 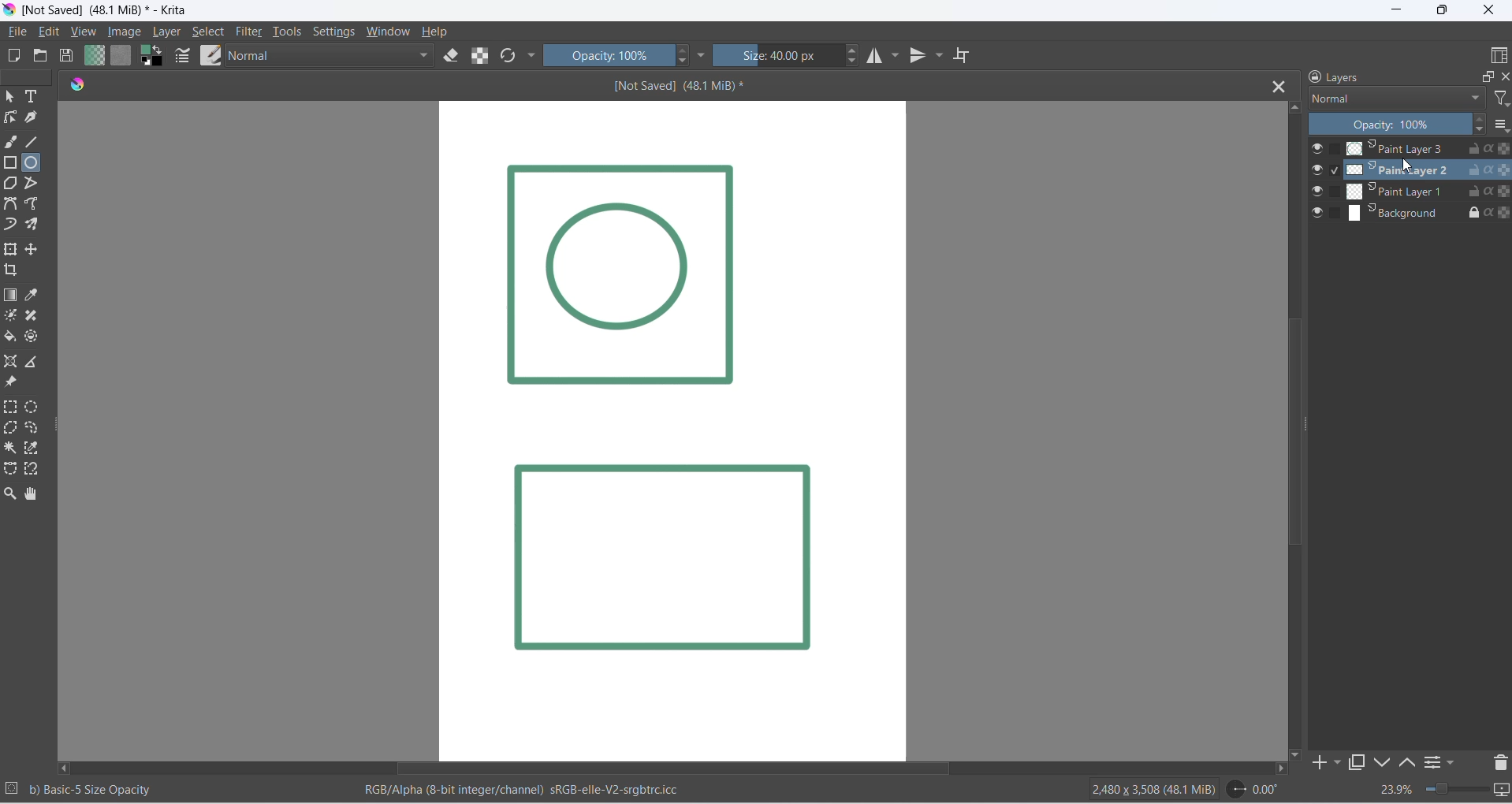 What do you see at coordinates (1252, 791) in the screenshot?
I see `0.00` at bounding box center [1252, 791].